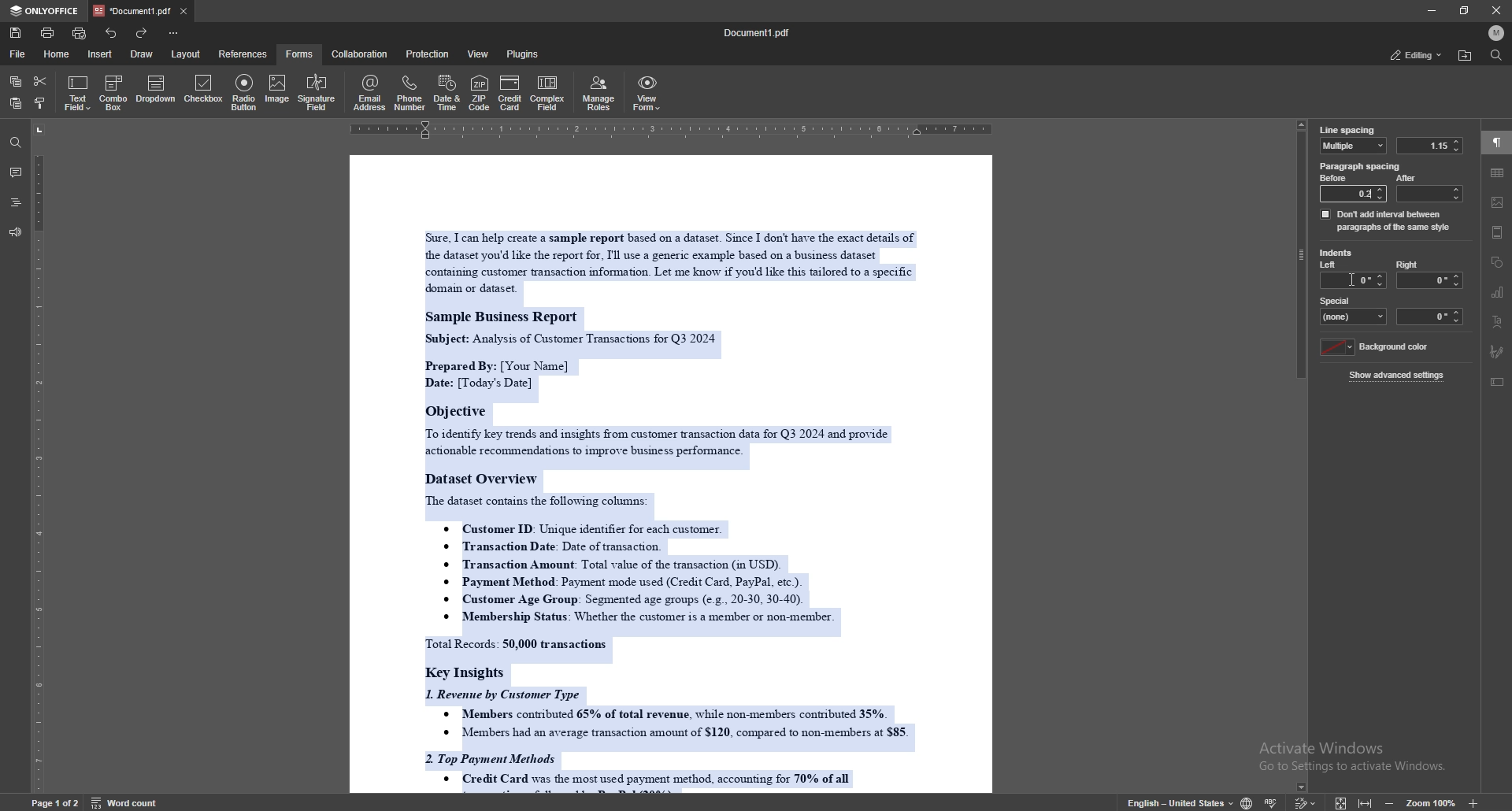 This screenshot has width=1512, height=811. I want to click on combo box, so click(113, 93).